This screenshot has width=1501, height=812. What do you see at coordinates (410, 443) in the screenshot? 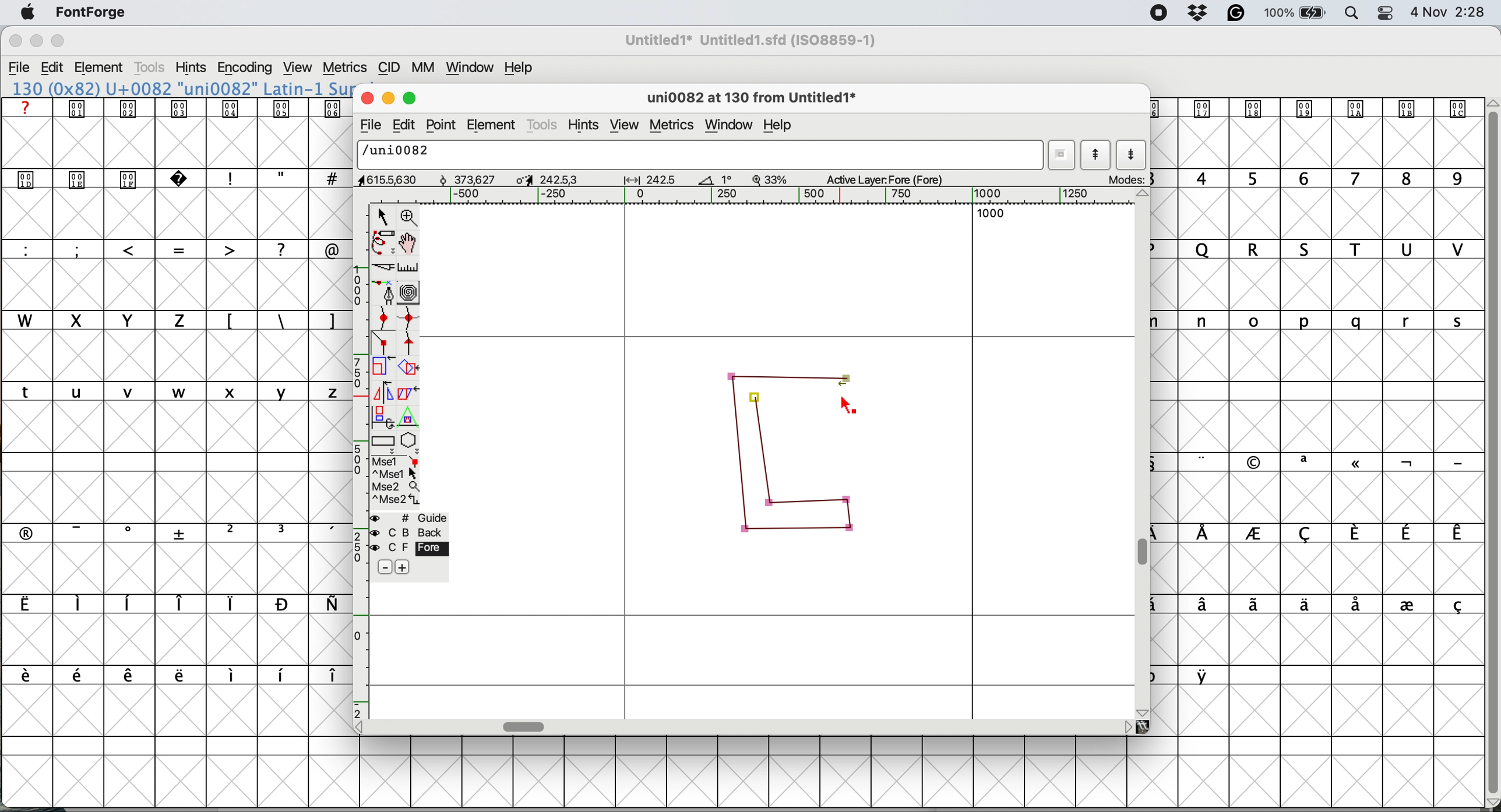
I see `stars and polygons` at bounding box center [410, 443].